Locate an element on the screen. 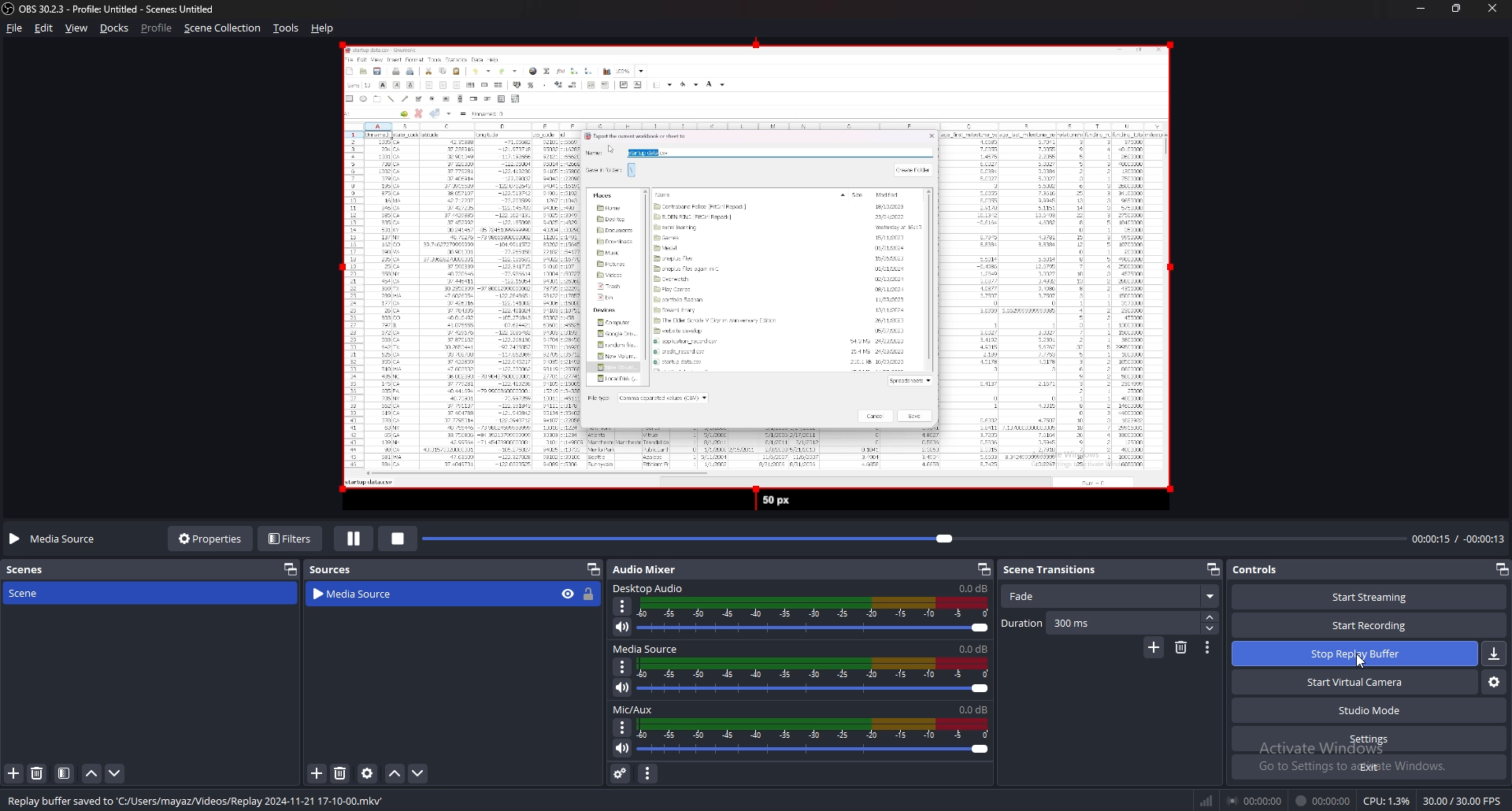 This screenshot has height=811, width=1512. add transition is located at coordinates (1154, 647).